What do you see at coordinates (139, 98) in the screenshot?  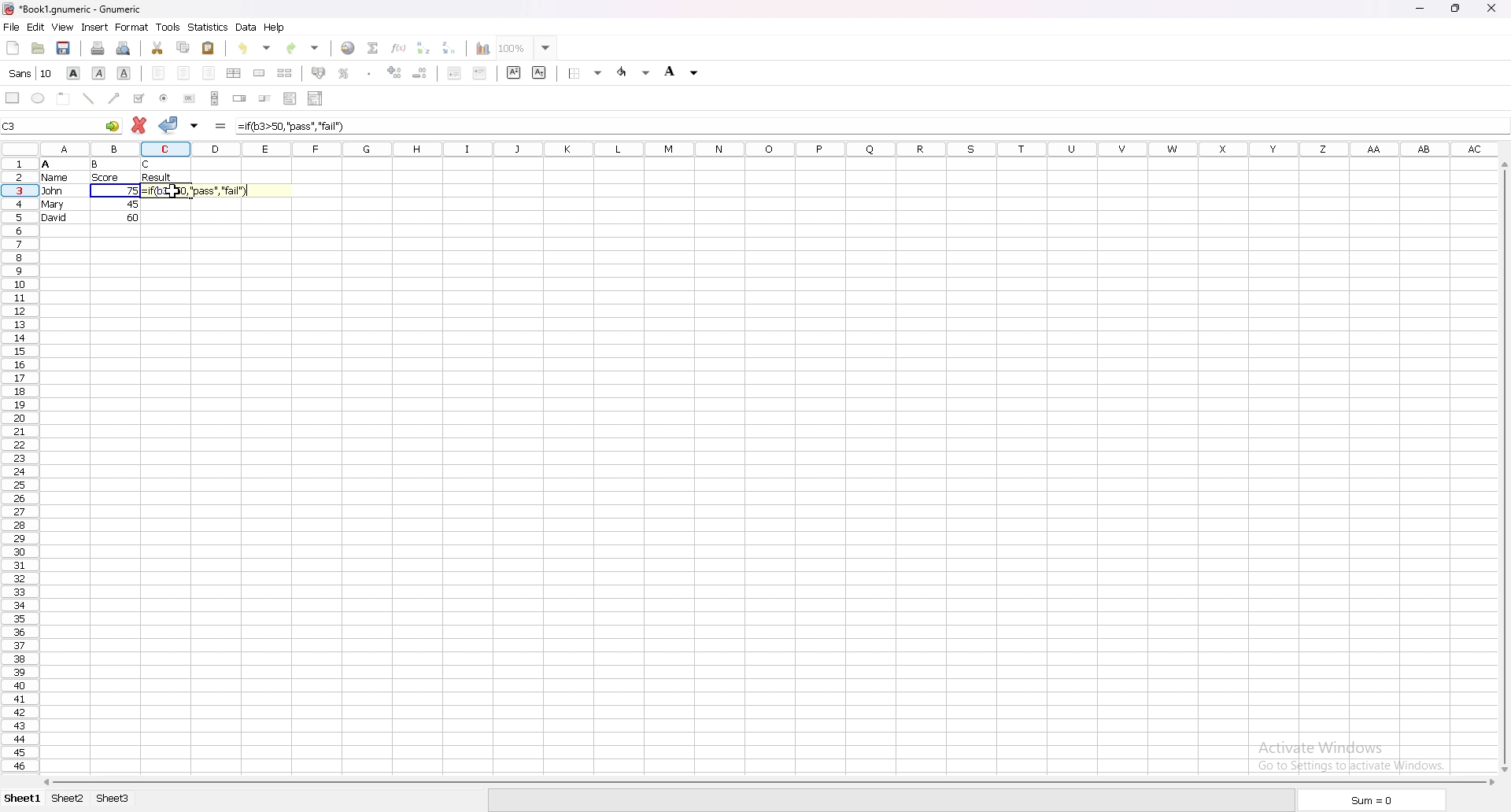 I see `checkbox` at bounding box center [139, 98].